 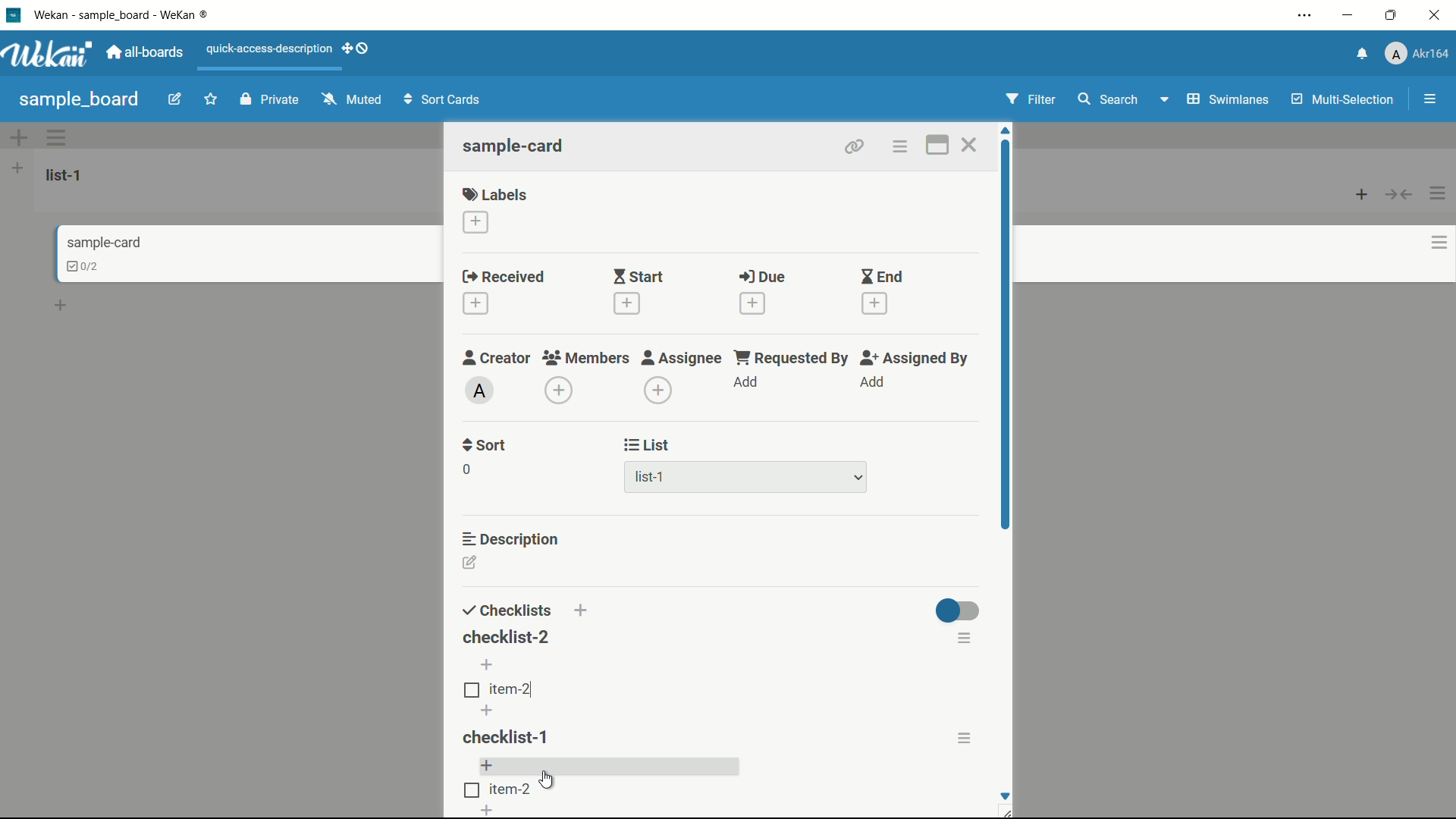 I want to click on multi selection, so click(x=1345, y=101).